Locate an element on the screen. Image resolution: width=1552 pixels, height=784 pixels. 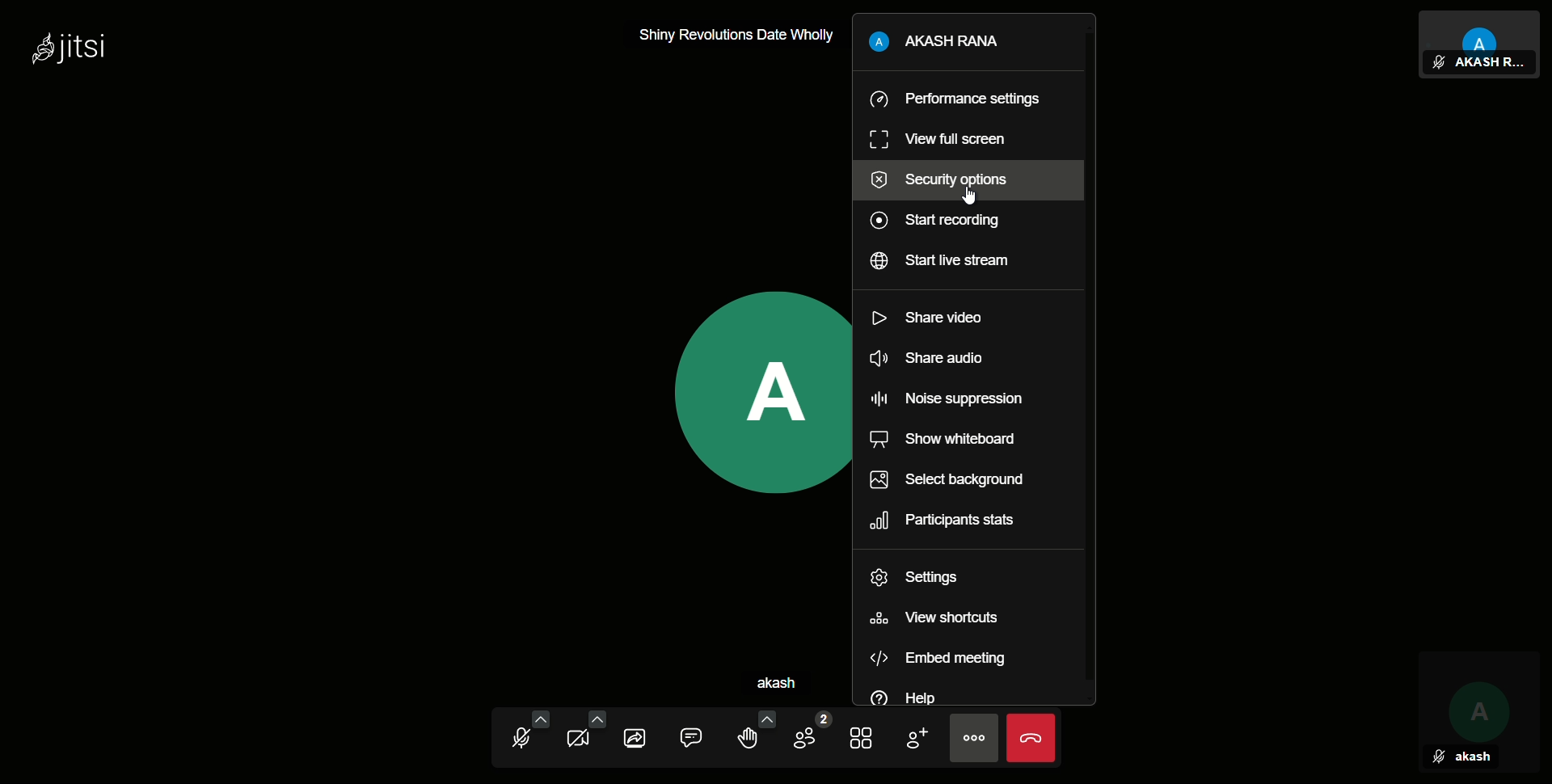
start screen sharing is located at coordinates (641, 736).